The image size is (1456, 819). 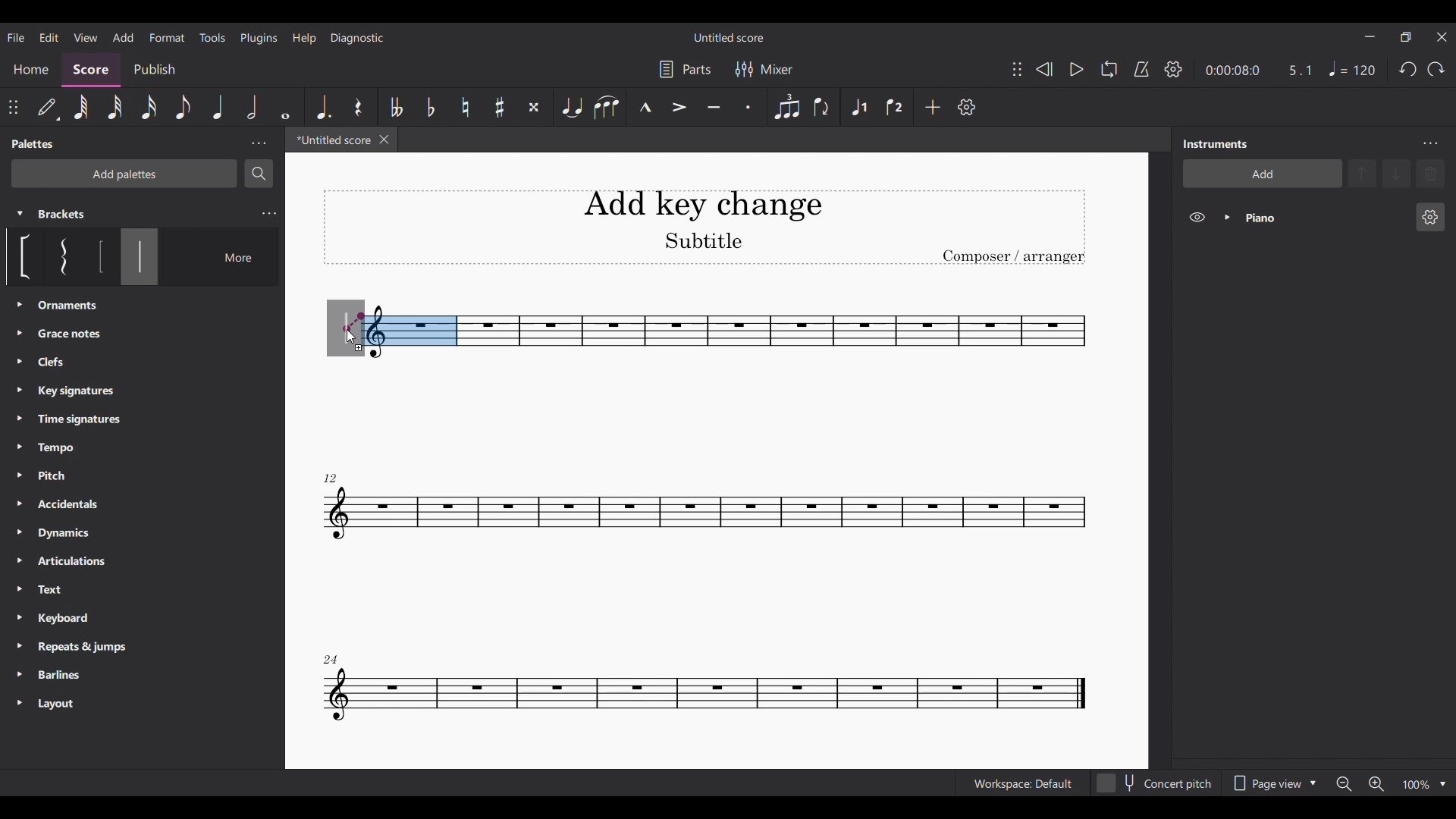 I want to click on Redo, so click(x=1436, y=69).